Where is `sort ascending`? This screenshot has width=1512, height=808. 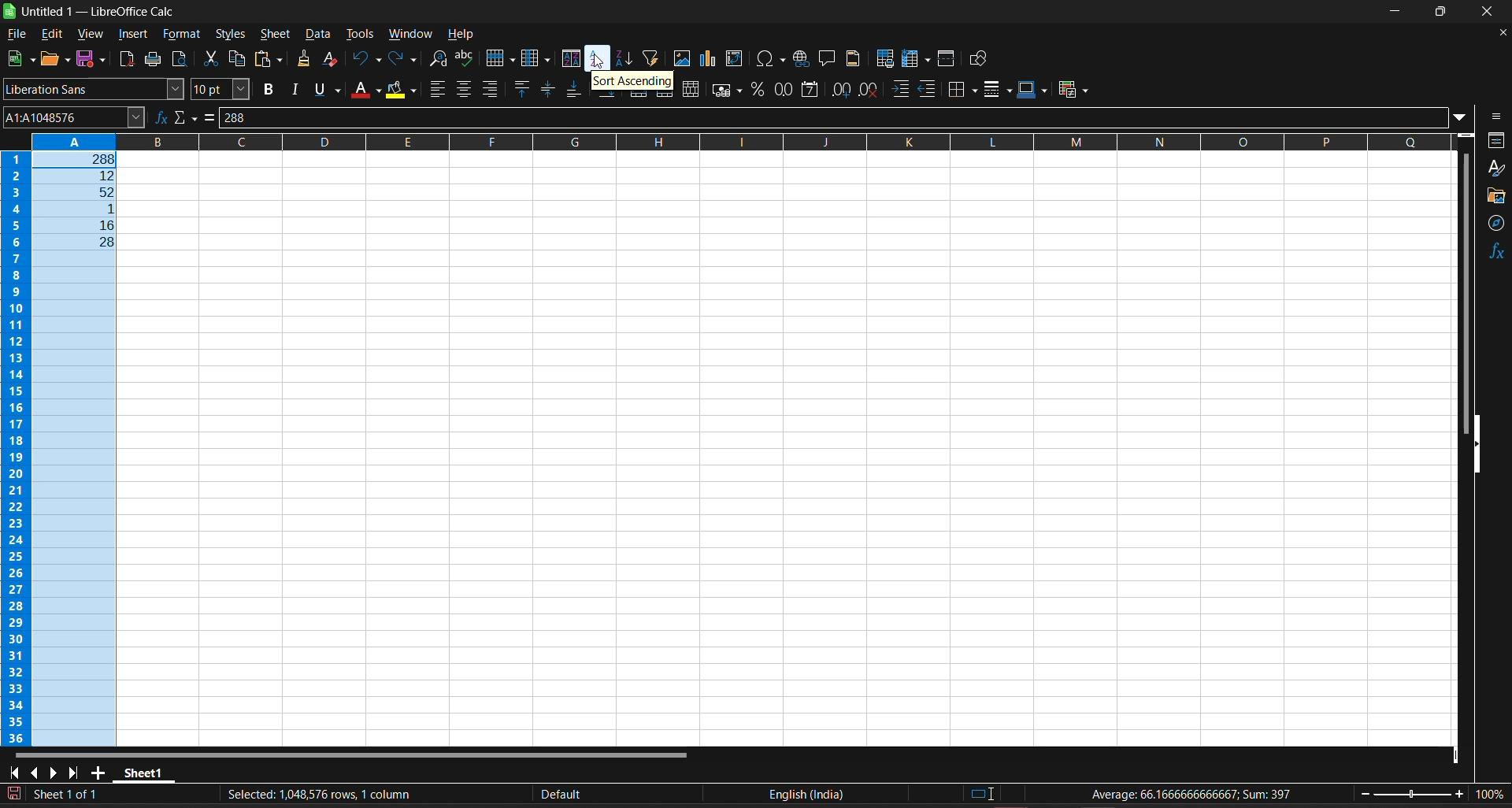
sort ascending is located at coordinates (632, 82).